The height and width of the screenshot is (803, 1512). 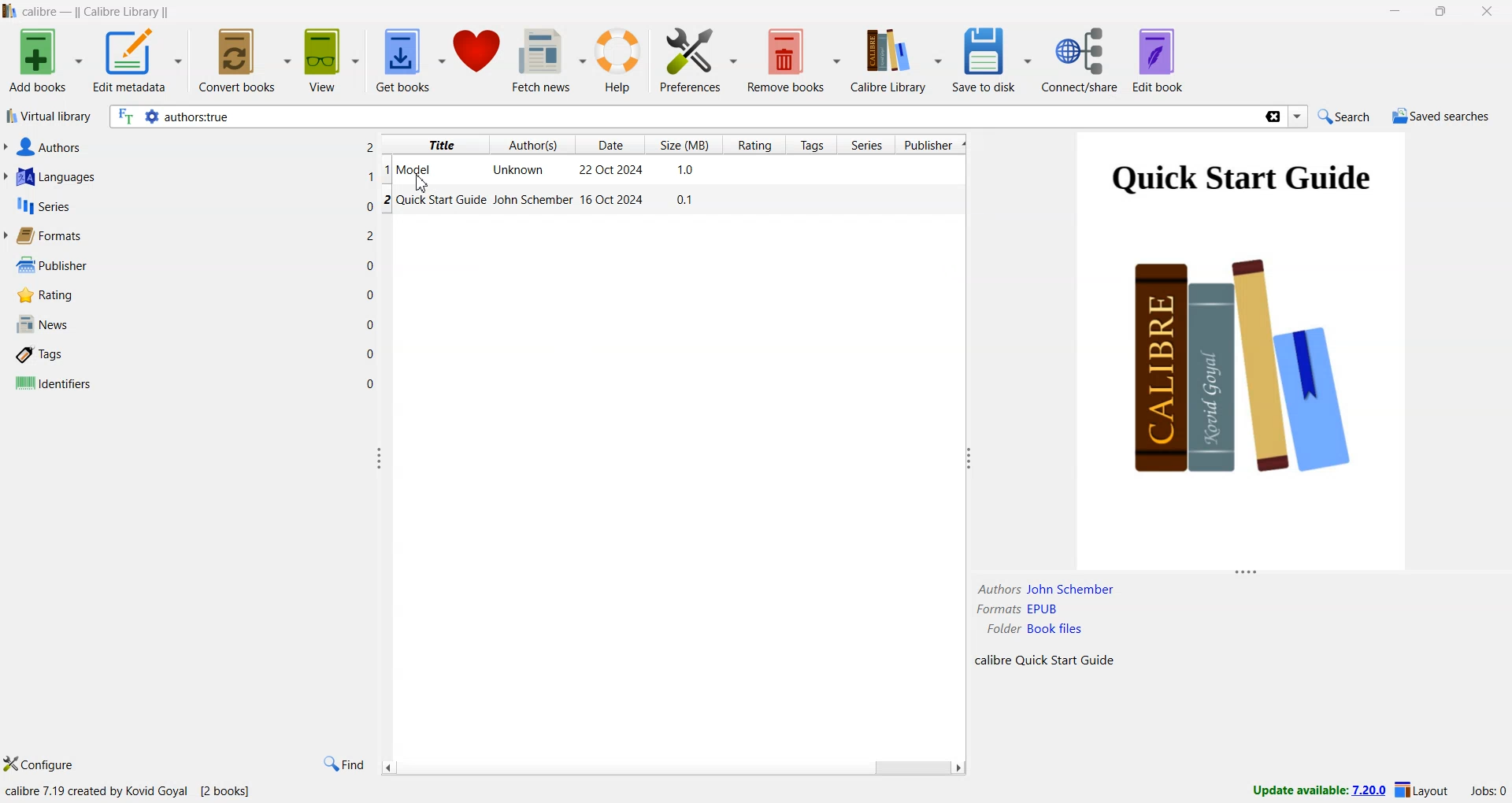 I want to click on saved searches, so click(x=1440, y=118).